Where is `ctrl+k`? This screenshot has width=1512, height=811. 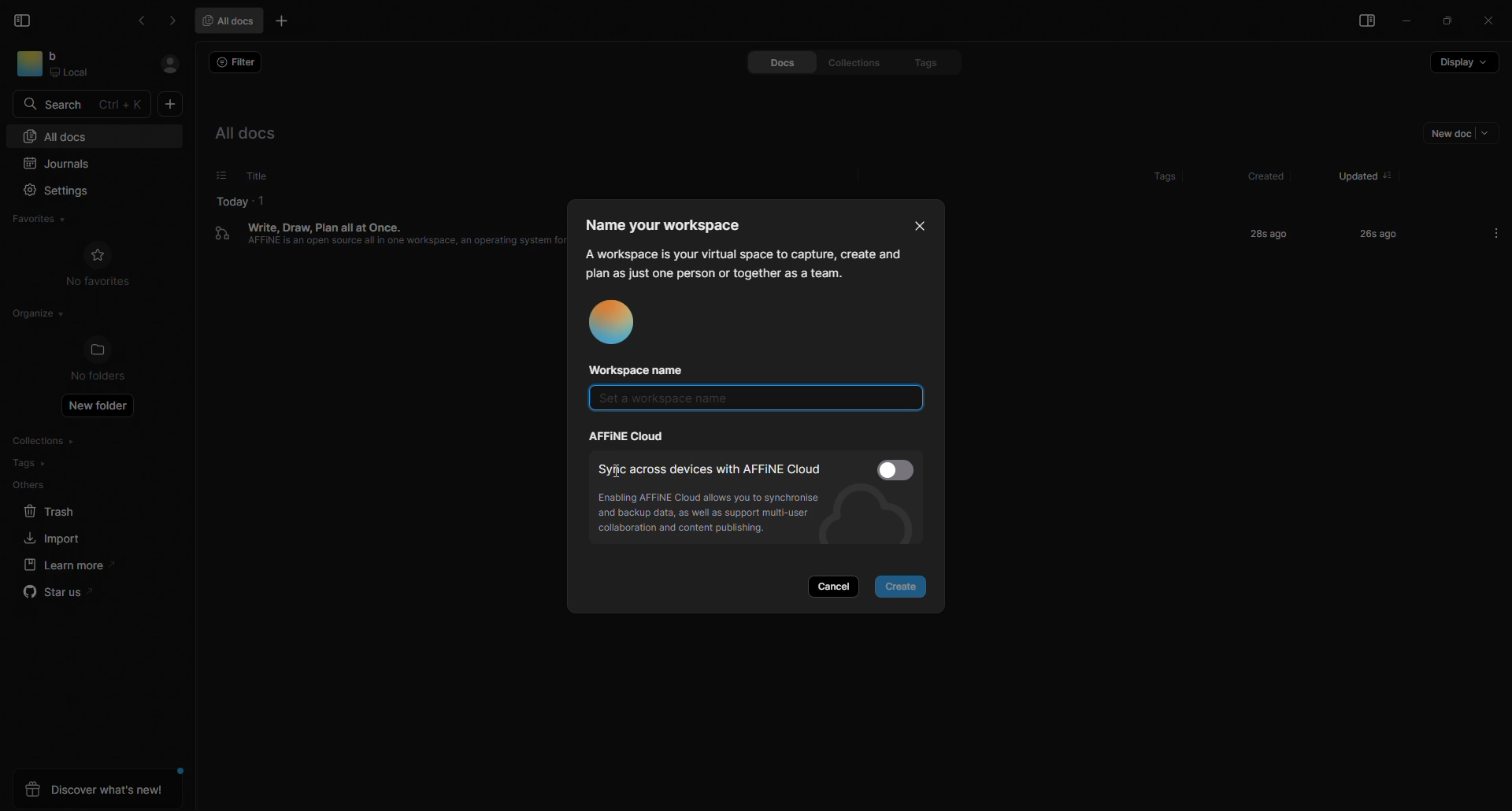
ctrl+k is located at coordinates (123, 104).